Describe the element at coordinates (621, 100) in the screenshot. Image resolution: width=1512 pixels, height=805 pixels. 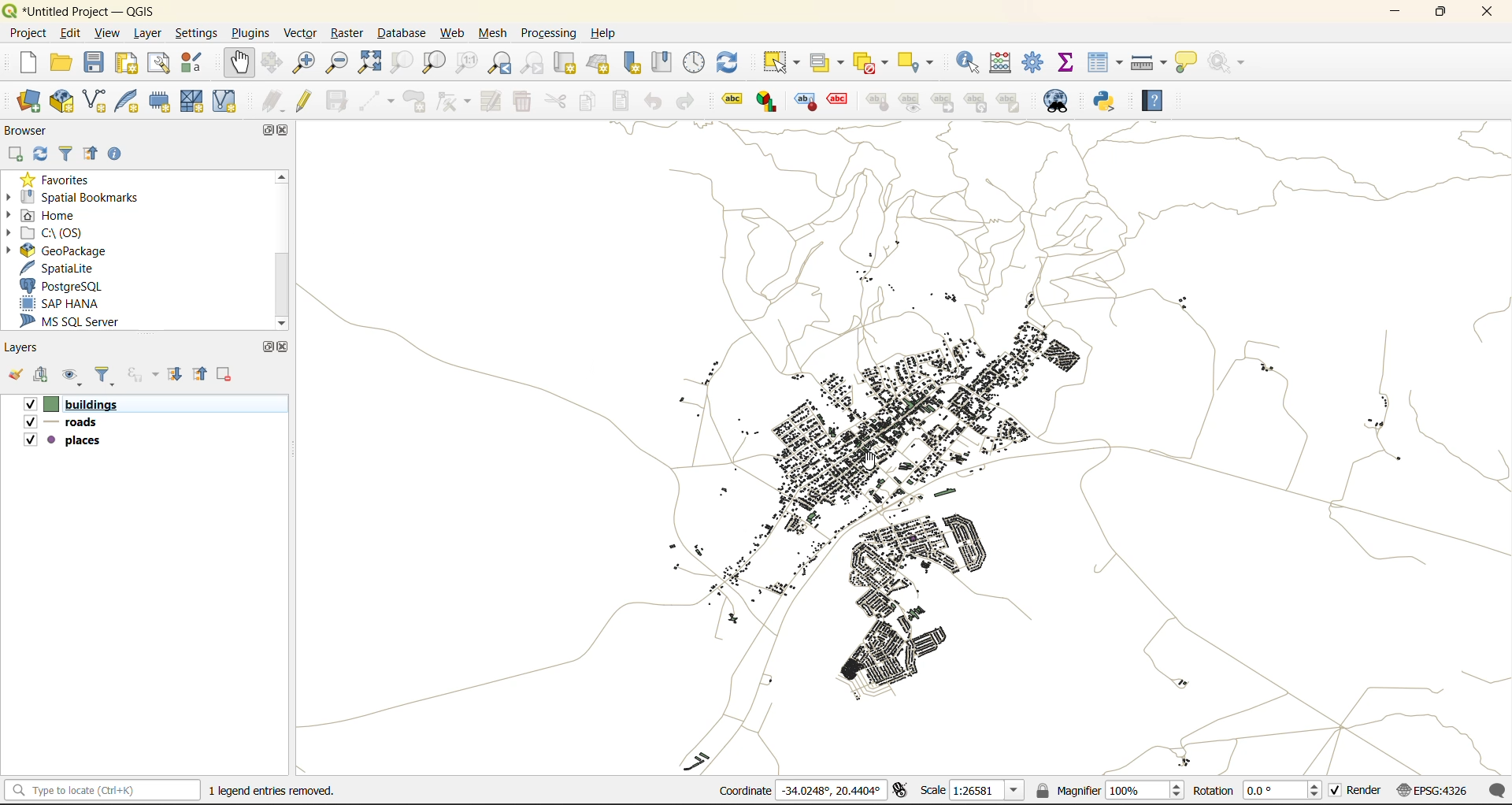
I see `paste` at that location.